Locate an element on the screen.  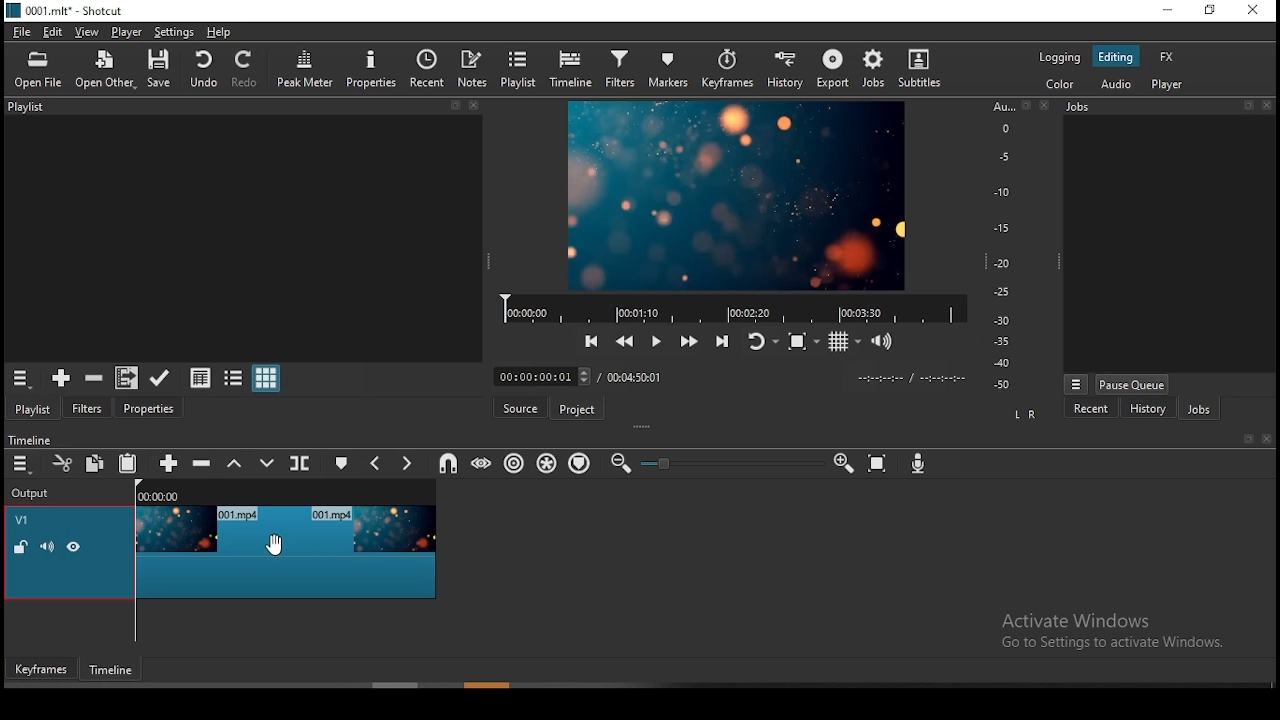
filters is located at coordinates (621, 69).